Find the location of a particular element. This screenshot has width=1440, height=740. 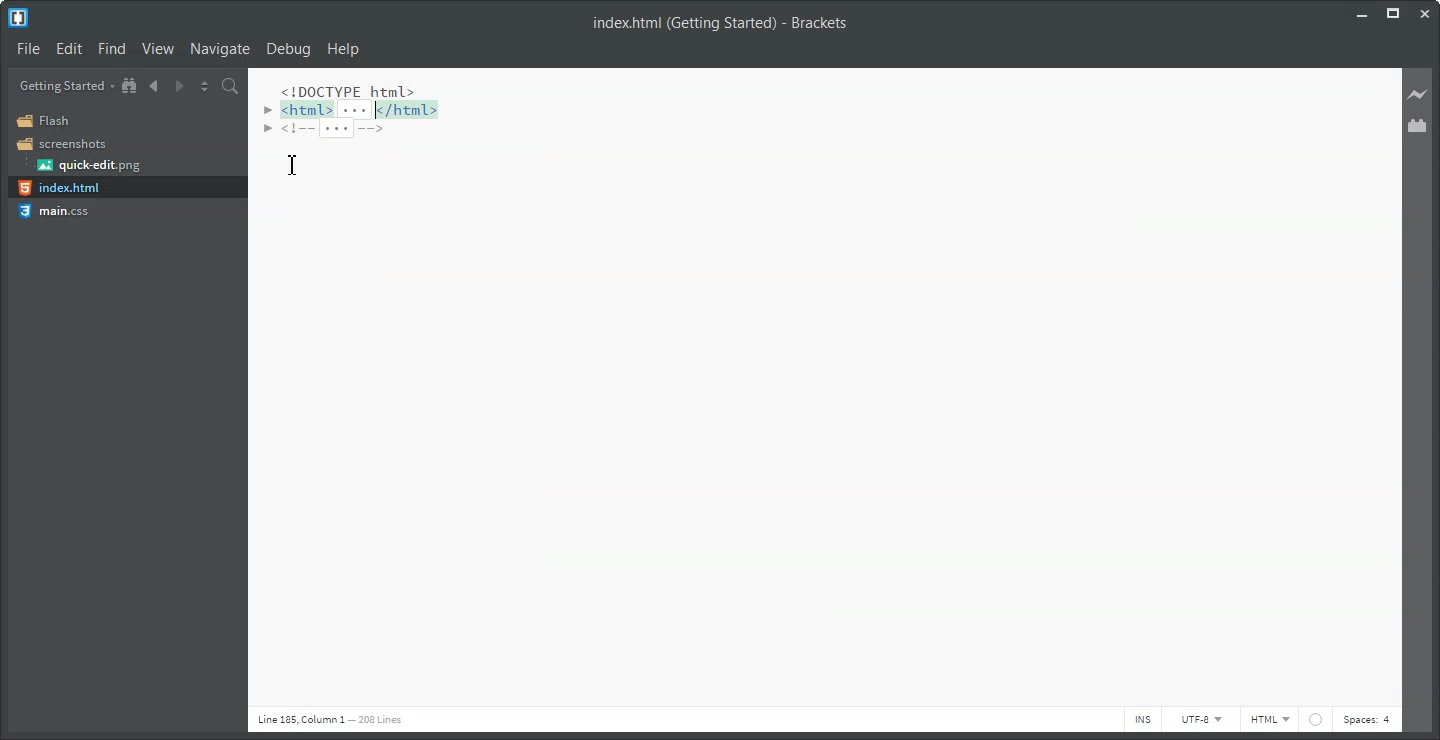

Spaces: 4 is located at coordinates (1368, 720).